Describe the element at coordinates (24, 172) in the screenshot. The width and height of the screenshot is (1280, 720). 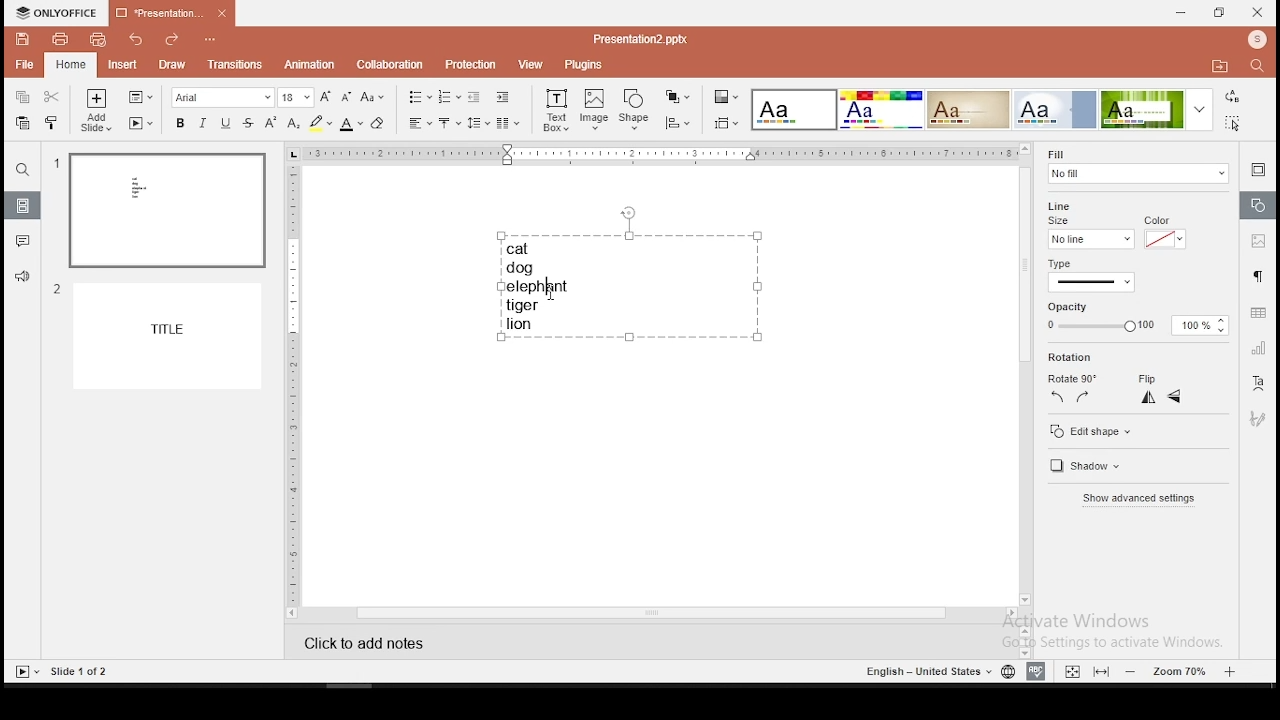
I see `find` at that location.